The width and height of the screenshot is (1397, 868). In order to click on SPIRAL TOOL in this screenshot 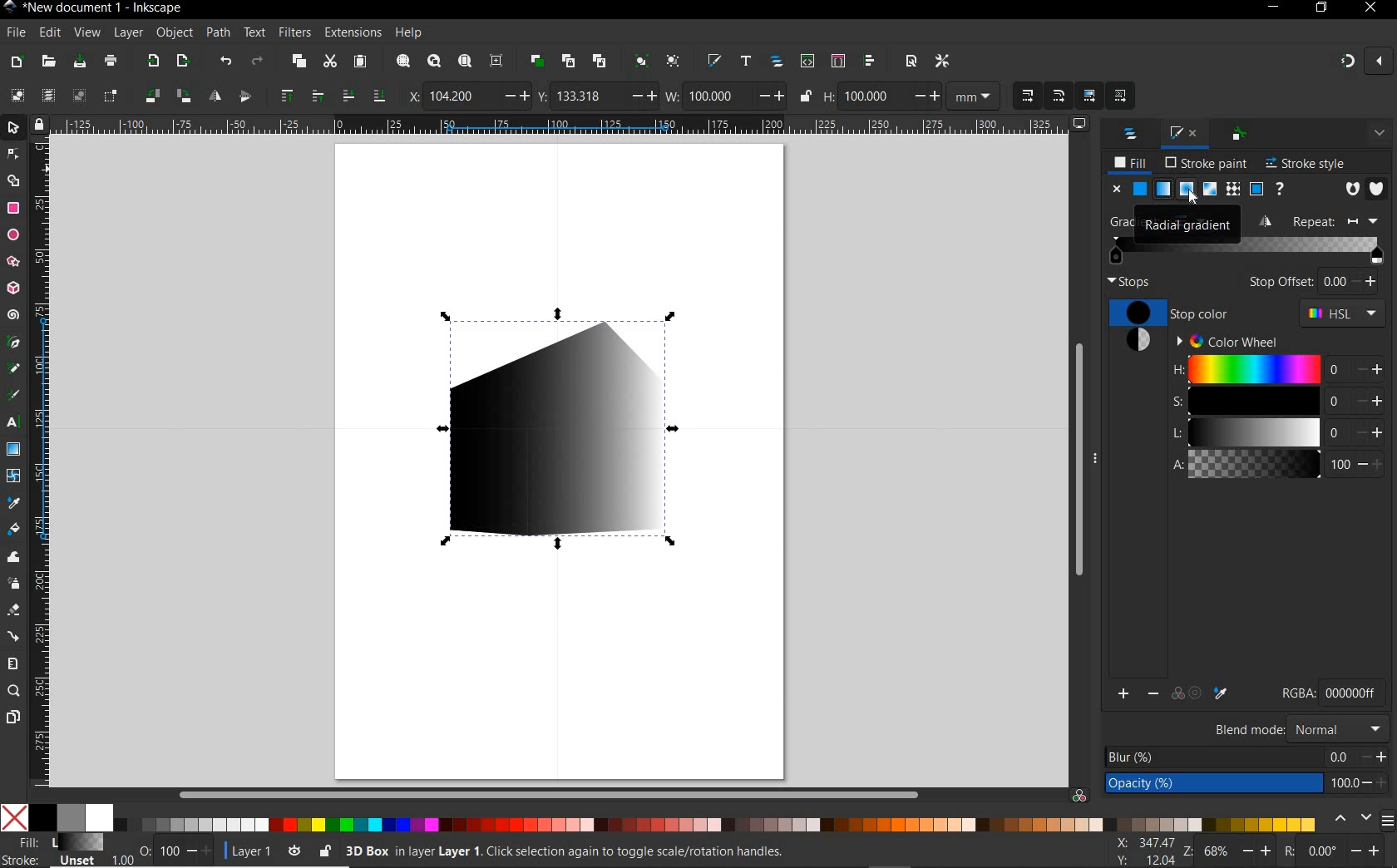, I will do `click(13, 314)`.